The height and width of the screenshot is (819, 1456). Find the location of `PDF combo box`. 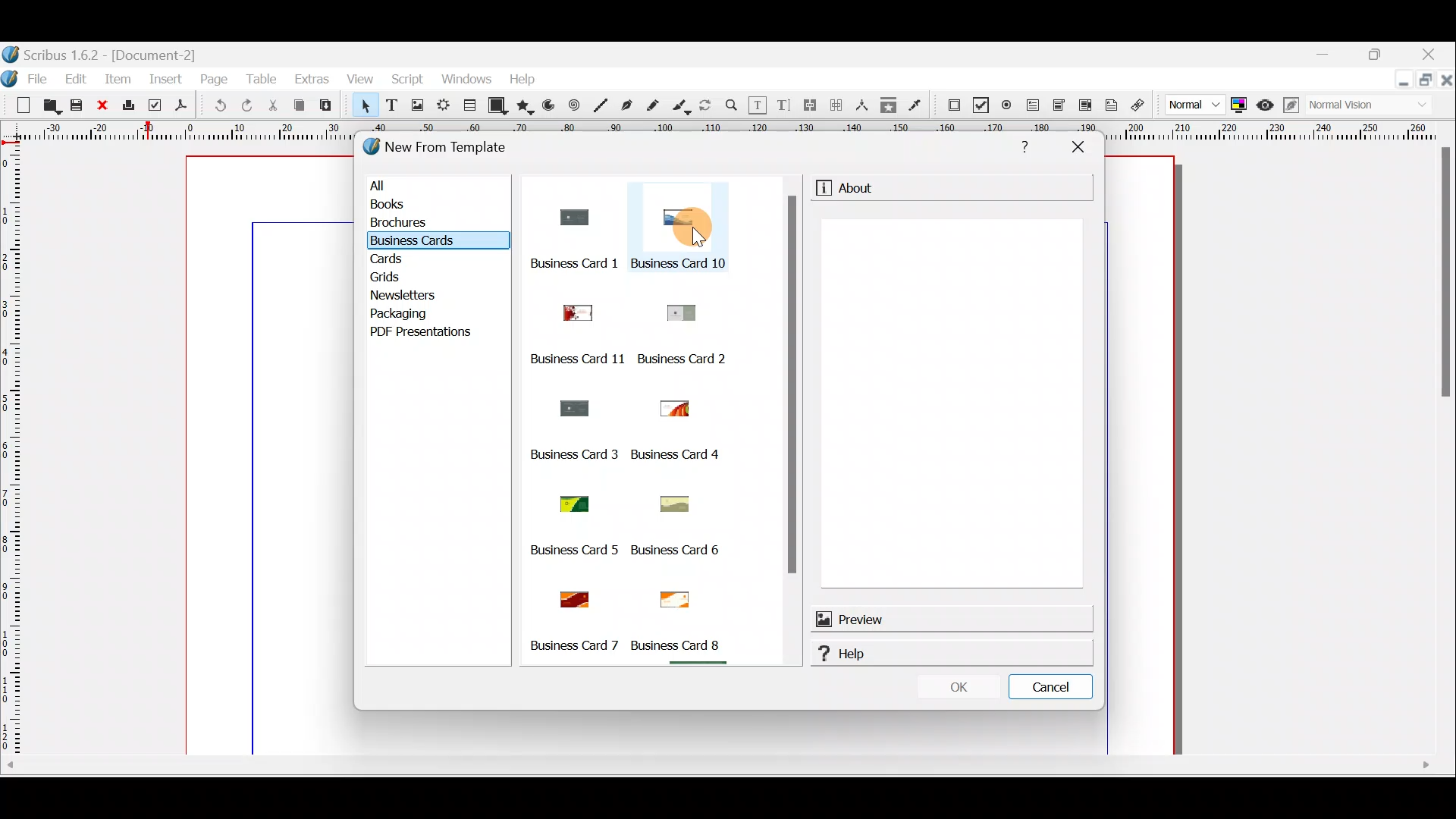

PDF combo box is located at coordinates (1057, 105).